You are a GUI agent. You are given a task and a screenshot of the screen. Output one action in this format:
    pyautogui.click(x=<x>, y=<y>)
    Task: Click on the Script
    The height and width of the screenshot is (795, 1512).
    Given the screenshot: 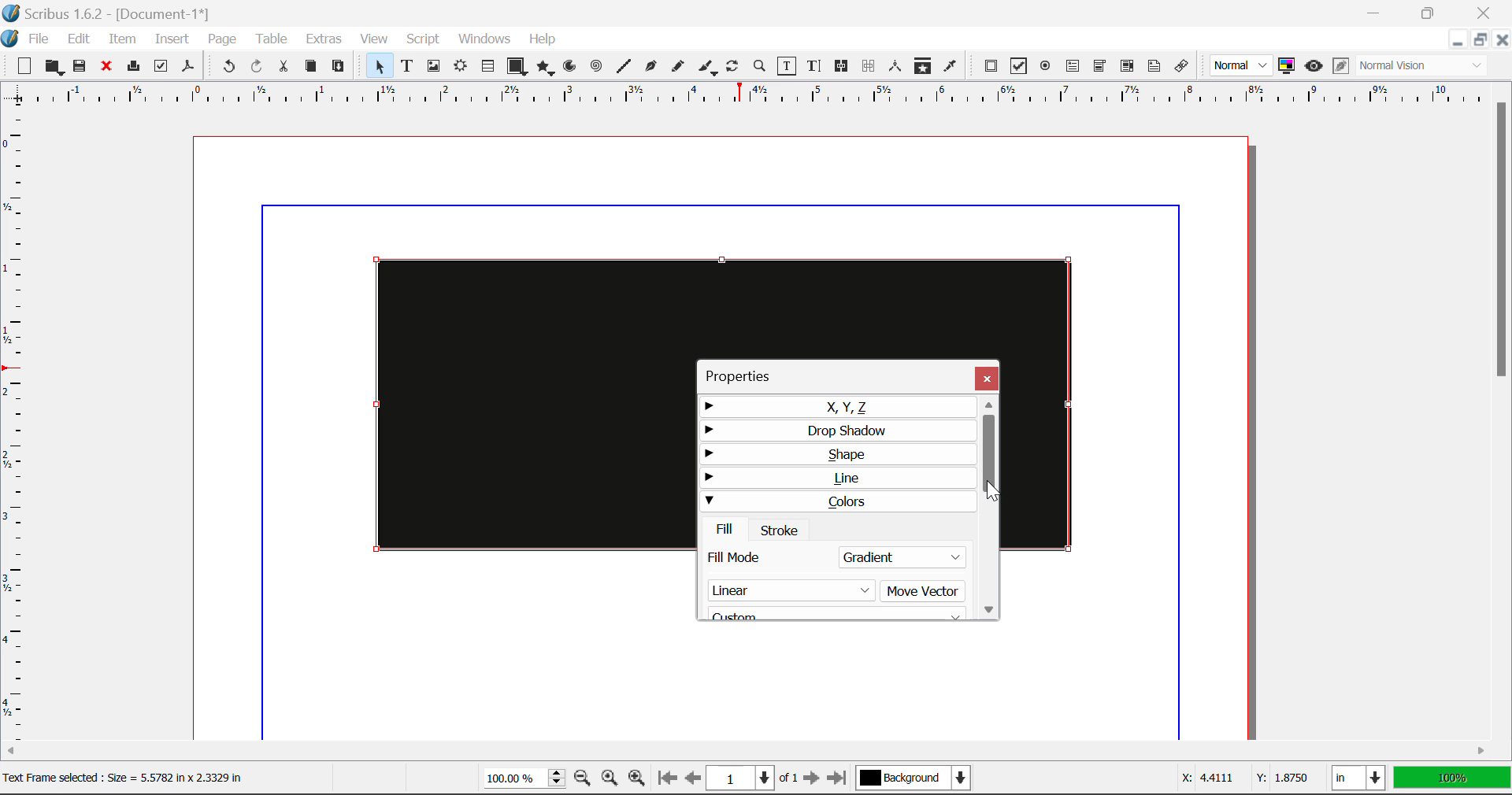 What is the action you would take?
    pyautogui.click(x=424, y=39)
    